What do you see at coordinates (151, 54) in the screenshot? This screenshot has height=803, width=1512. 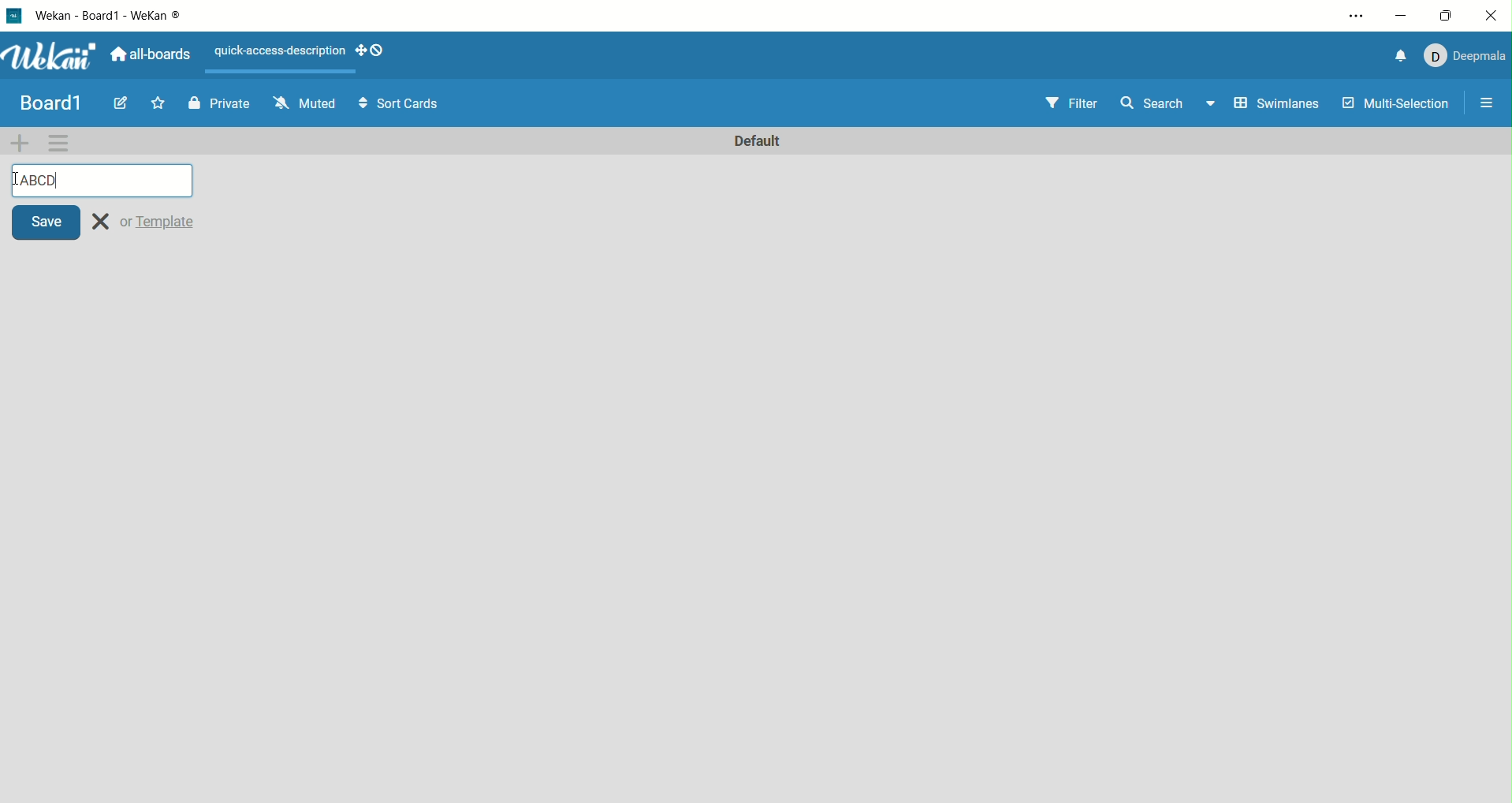 I see `all boards` at bounding box center [151, 54].